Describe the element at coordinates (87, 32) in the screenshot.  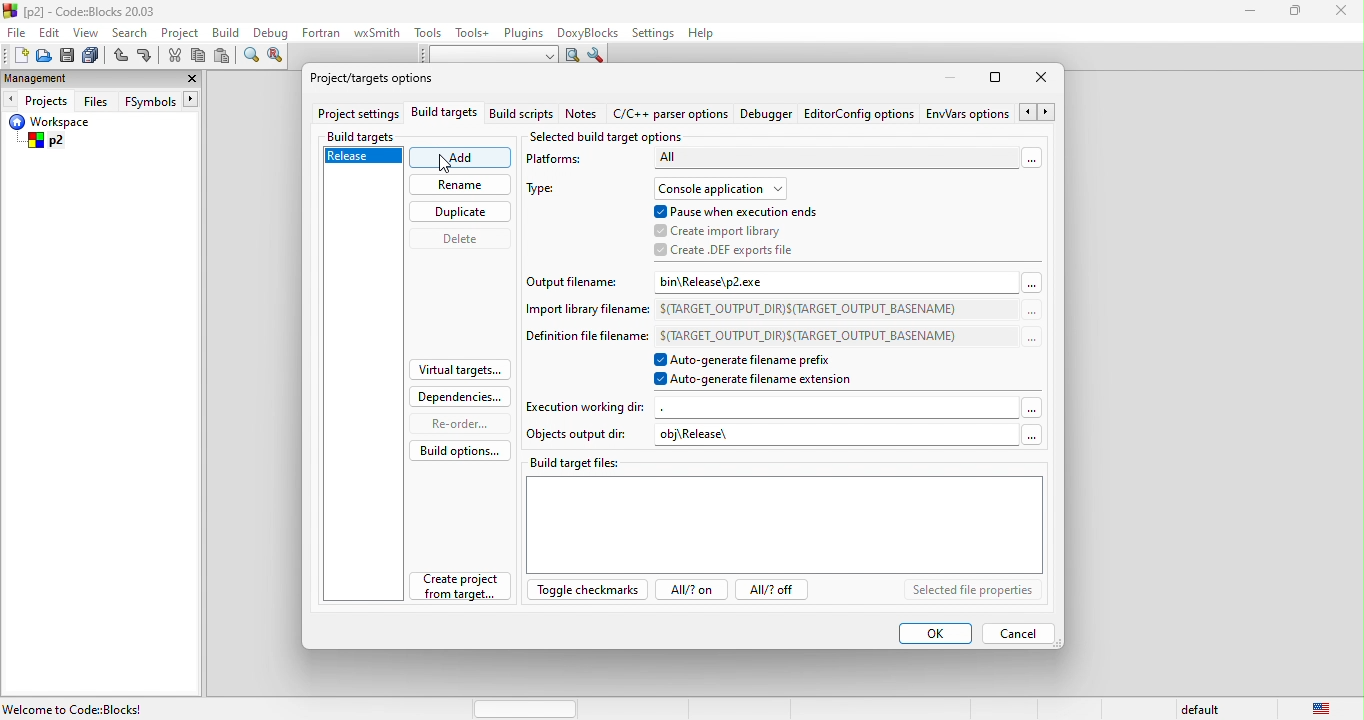
I see `view` at that location.